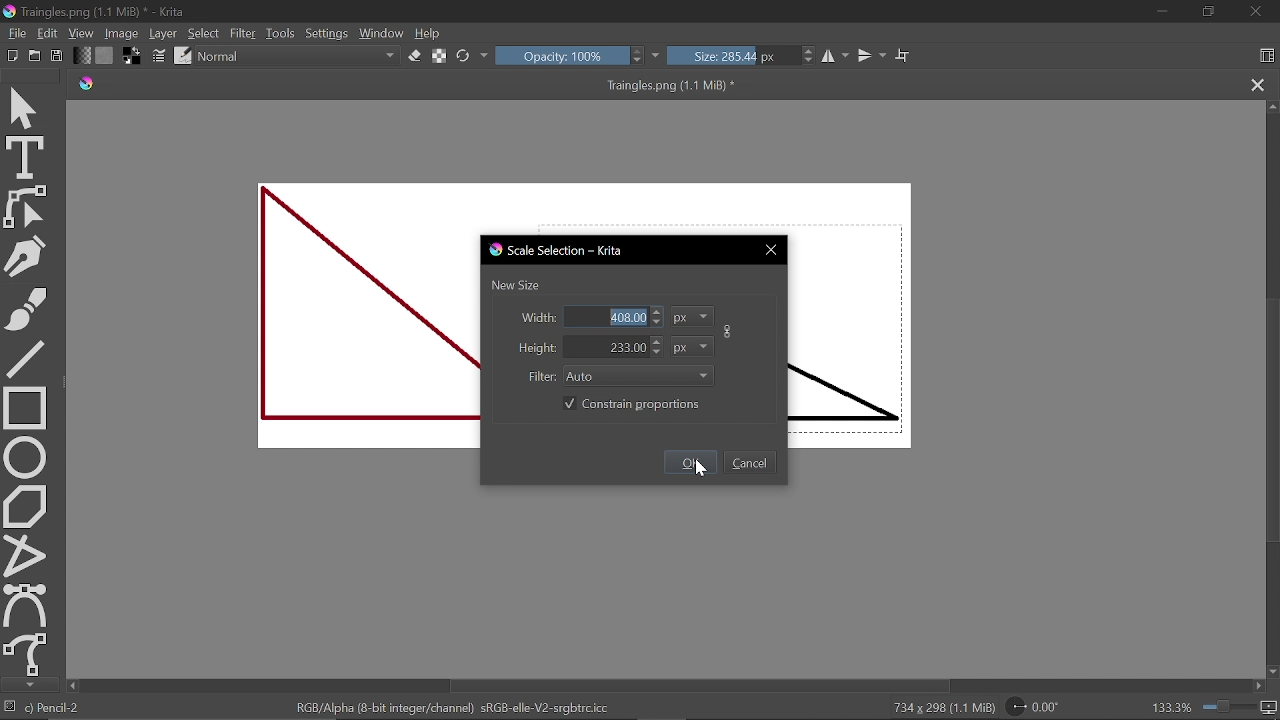  What do you see at coordinates (25, 653) in the screenshot?
I see `Freehand path tool` at bounding box center [25, 653].